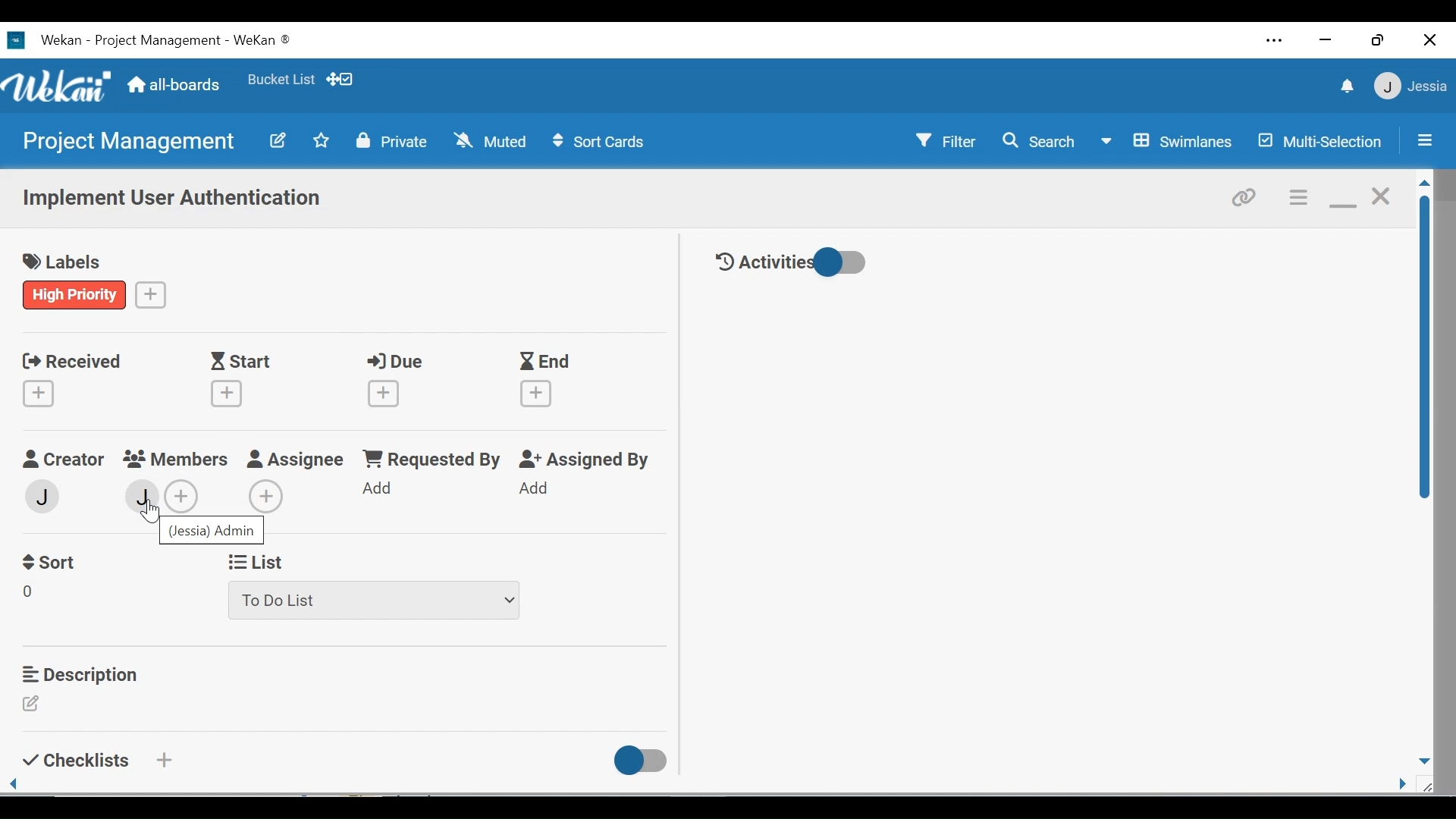  I want to click on admin, so click(46, 495).